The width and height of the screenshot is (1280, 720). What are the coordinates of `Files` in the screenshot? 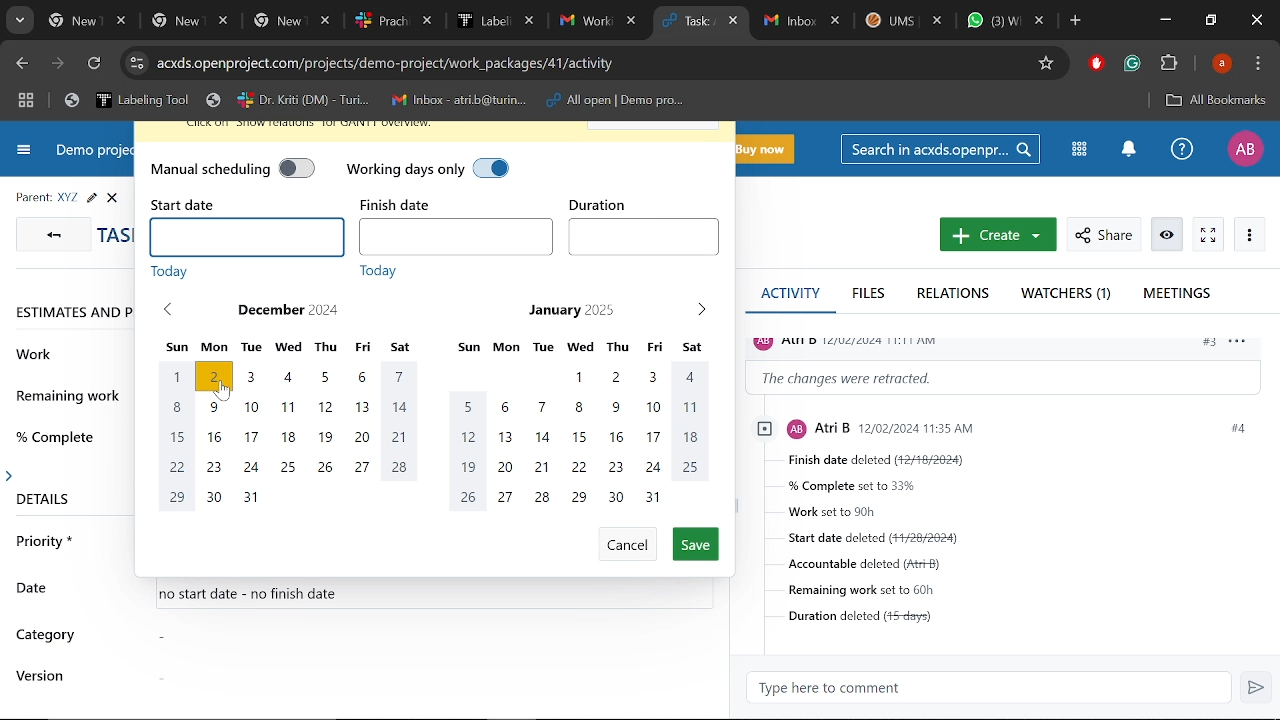 It's located at (870, 294).